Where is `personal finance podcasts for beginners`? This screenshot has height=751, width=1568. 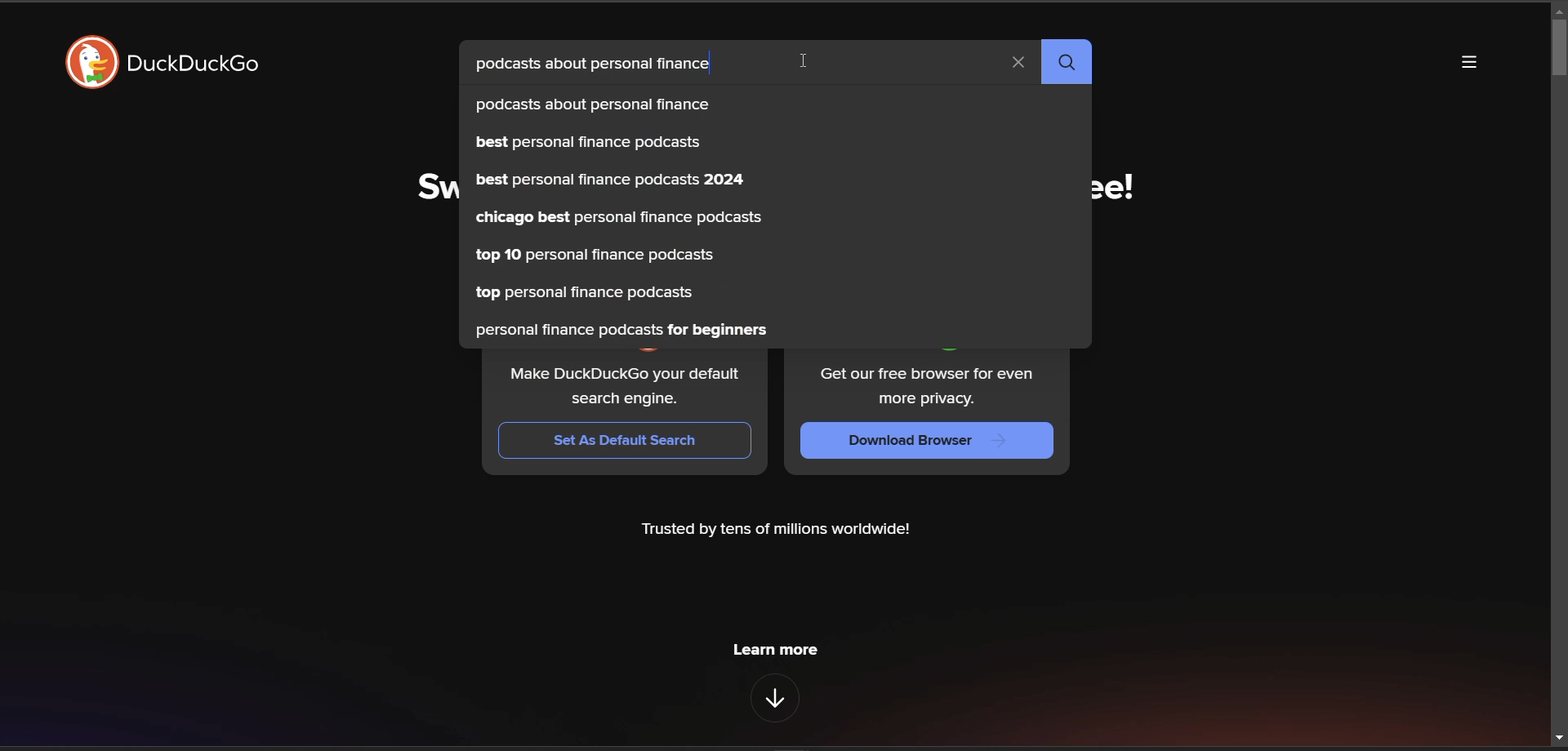 personal finance podcasts for beginners is located at coordinates (621, 331).